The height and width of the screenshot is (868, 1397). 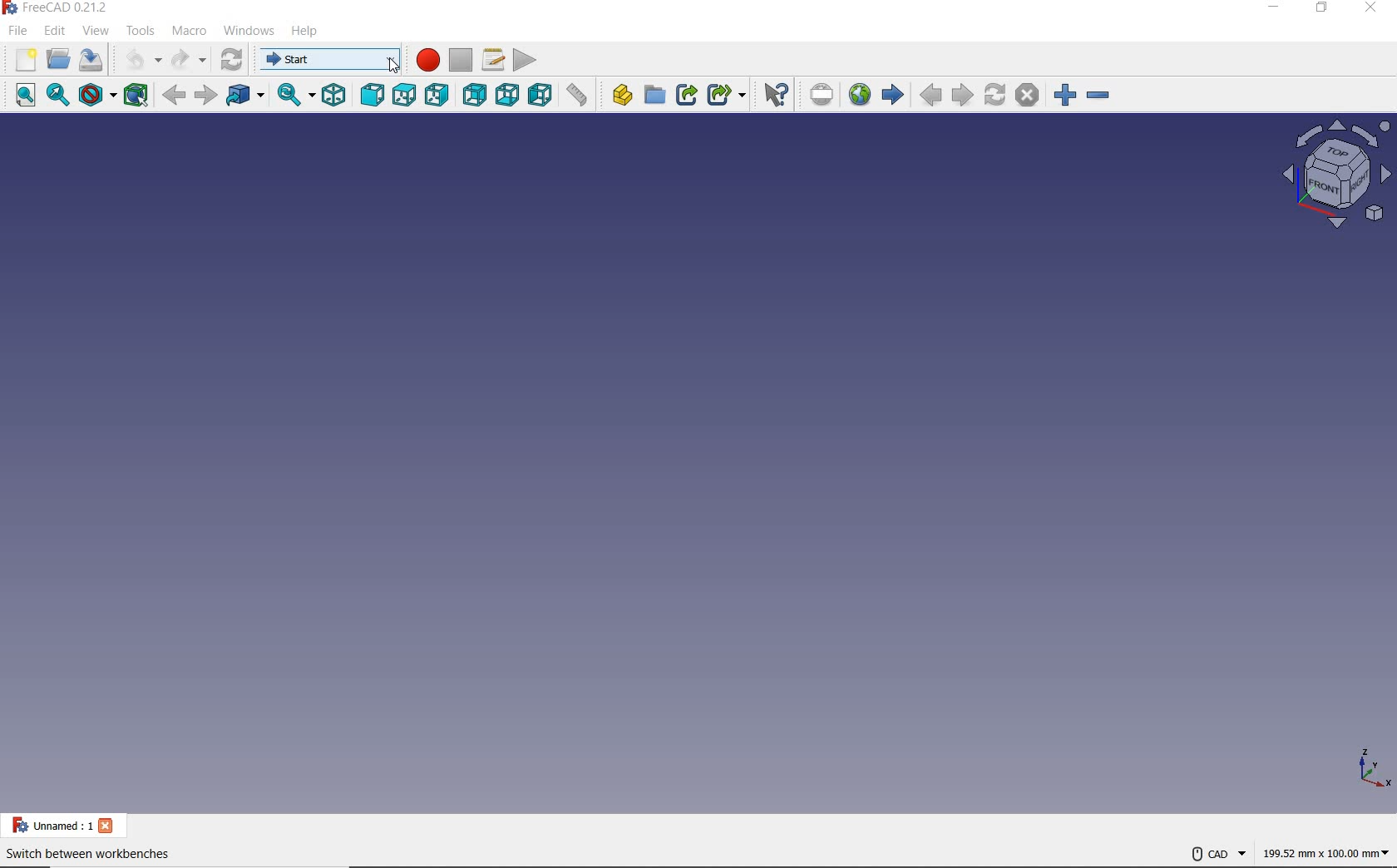 I want to click on OPEN, so click(x=59, y=59).